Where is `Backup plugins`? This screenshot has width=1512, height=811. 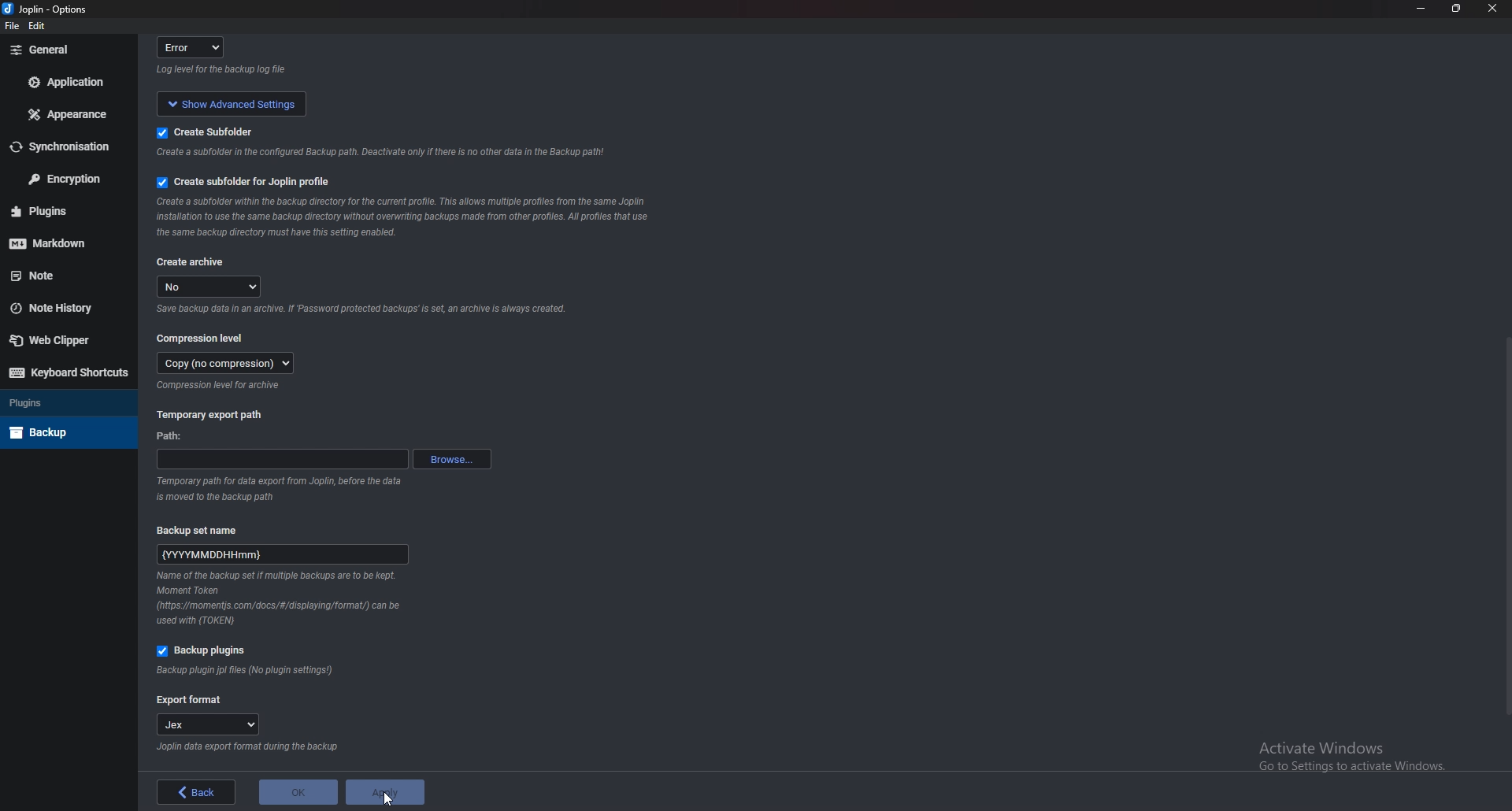 Backup plugins is located at coordinates (207, 651).